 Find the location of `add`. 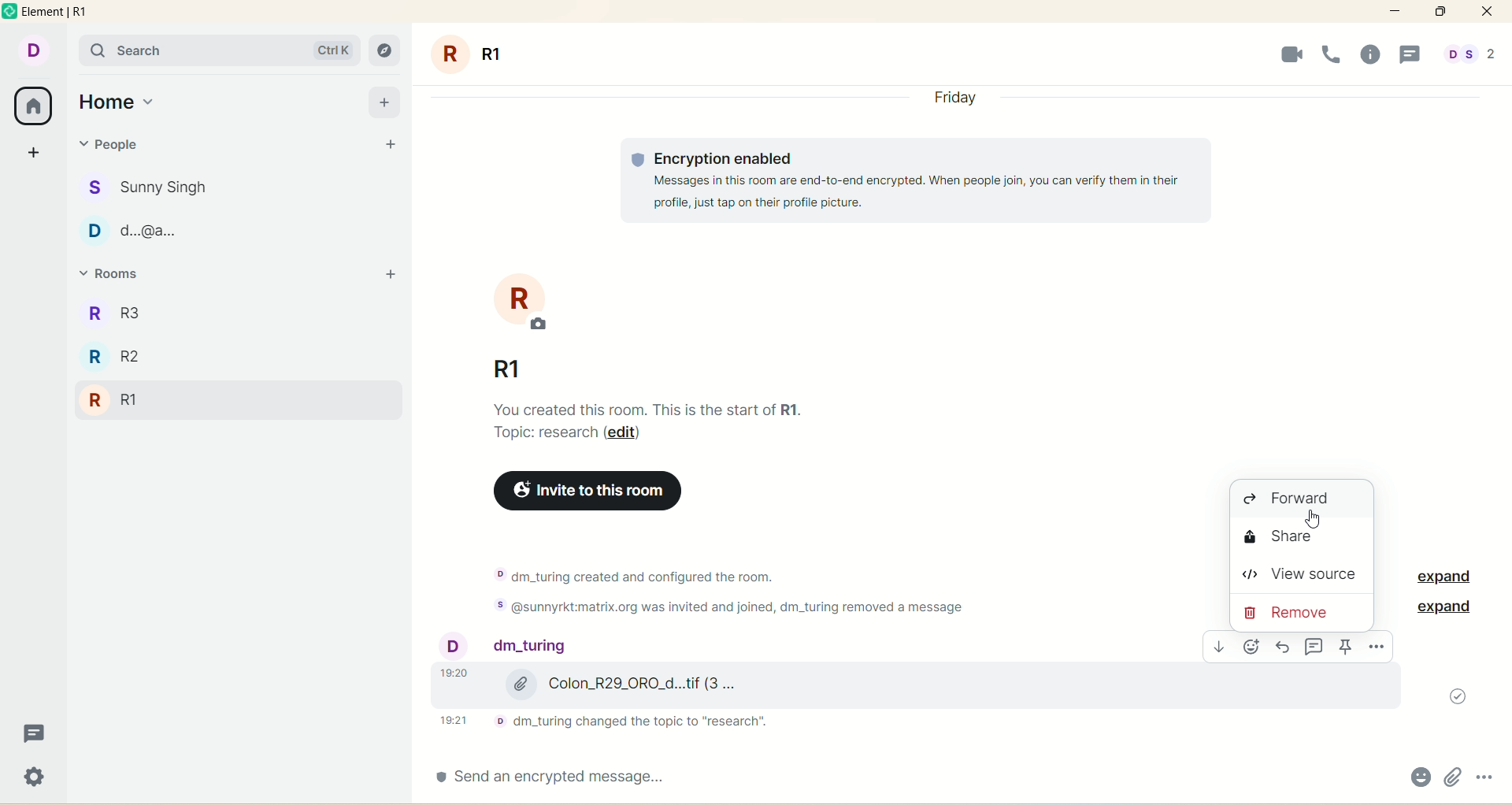

add is located at coordinates (390, 274).